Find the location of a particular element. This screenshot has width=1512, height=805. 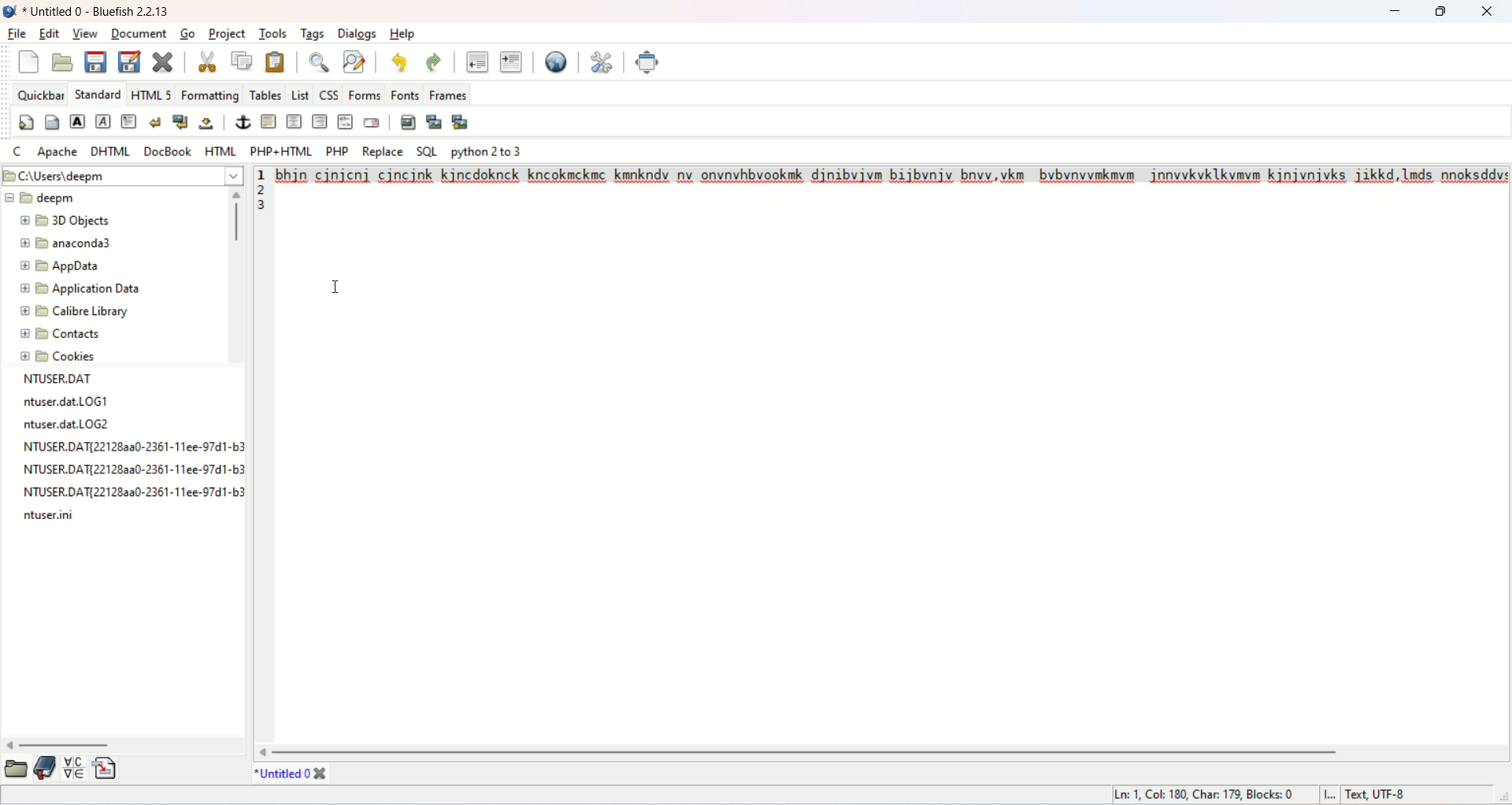

line number is located at coordinates (261, 200).